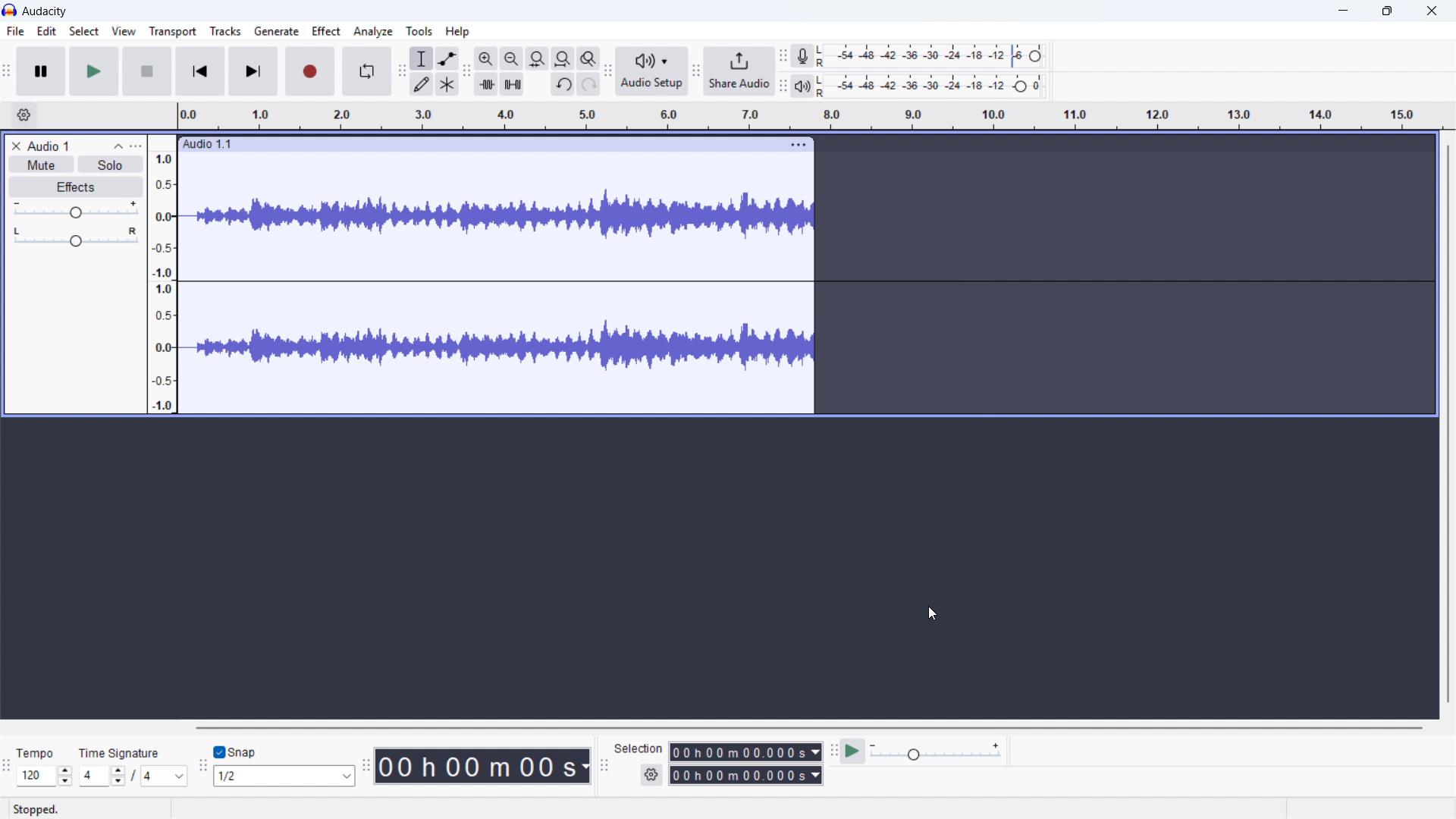 Image resolution: width=1456 pixels, height=819 pixels. Describe the element at coordinates (147, 71) in the screenshot. I see `stop ` at that location.